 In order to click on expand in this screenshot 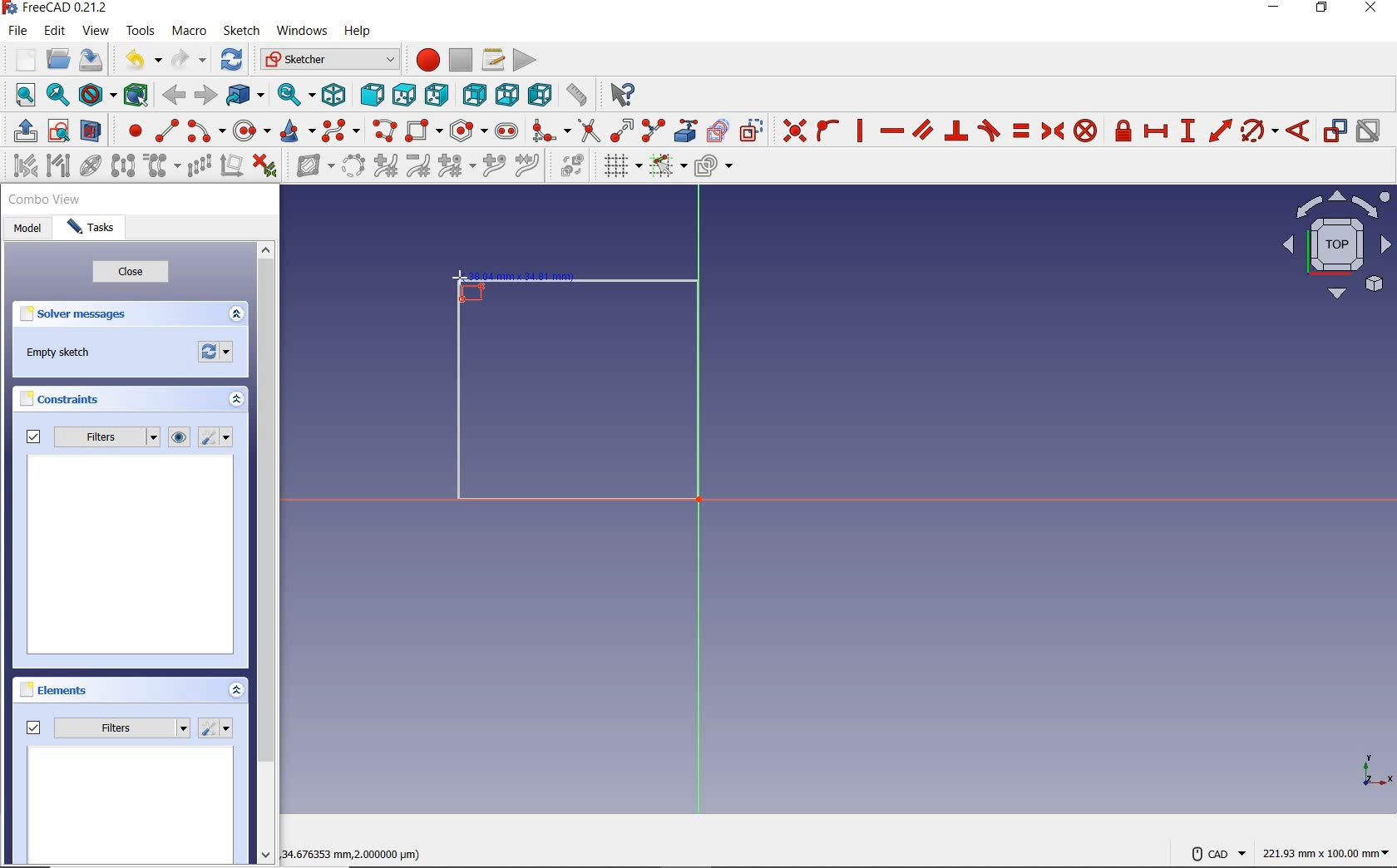, I will do `click(236, 315)`.